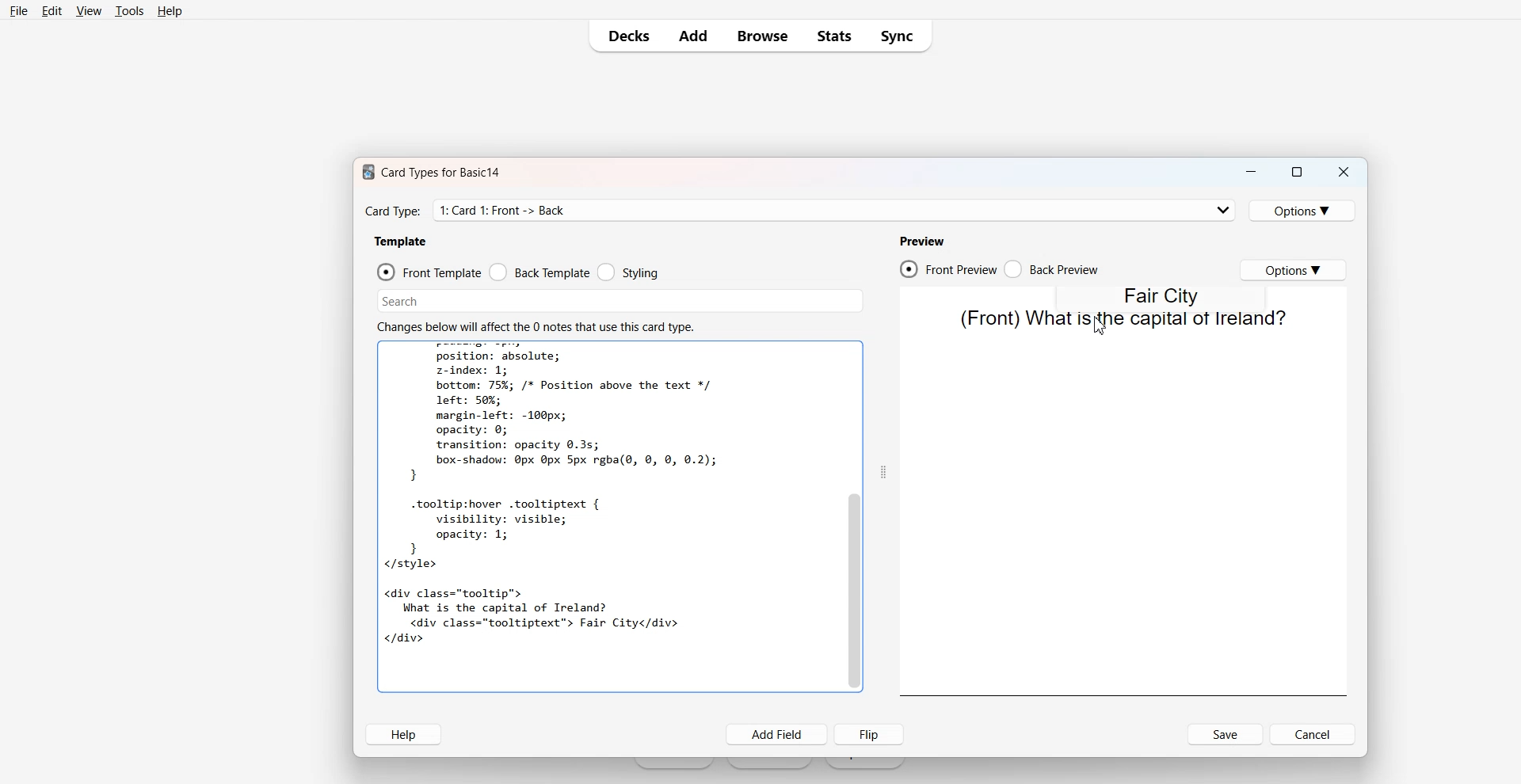  What do you see at coordinates (695, 36) in the screenshot?
I see `Add` at bounding box center [695, 36].